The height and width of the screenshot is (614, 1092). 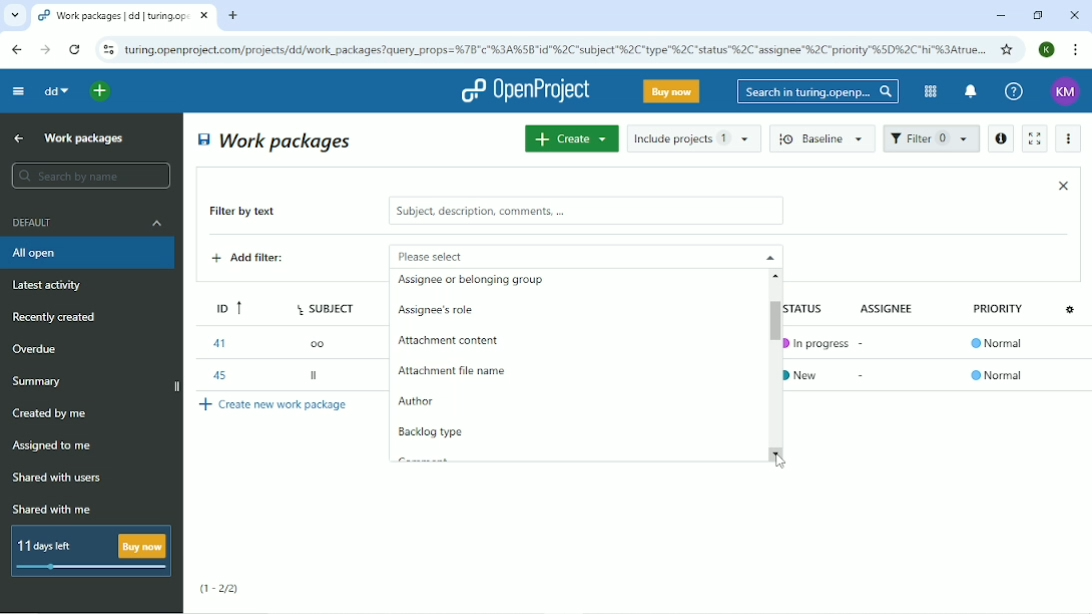 What do you see at coordinates (175, 388) in the screenshot?
I see `close side bar` at bounding box center [175, 388].